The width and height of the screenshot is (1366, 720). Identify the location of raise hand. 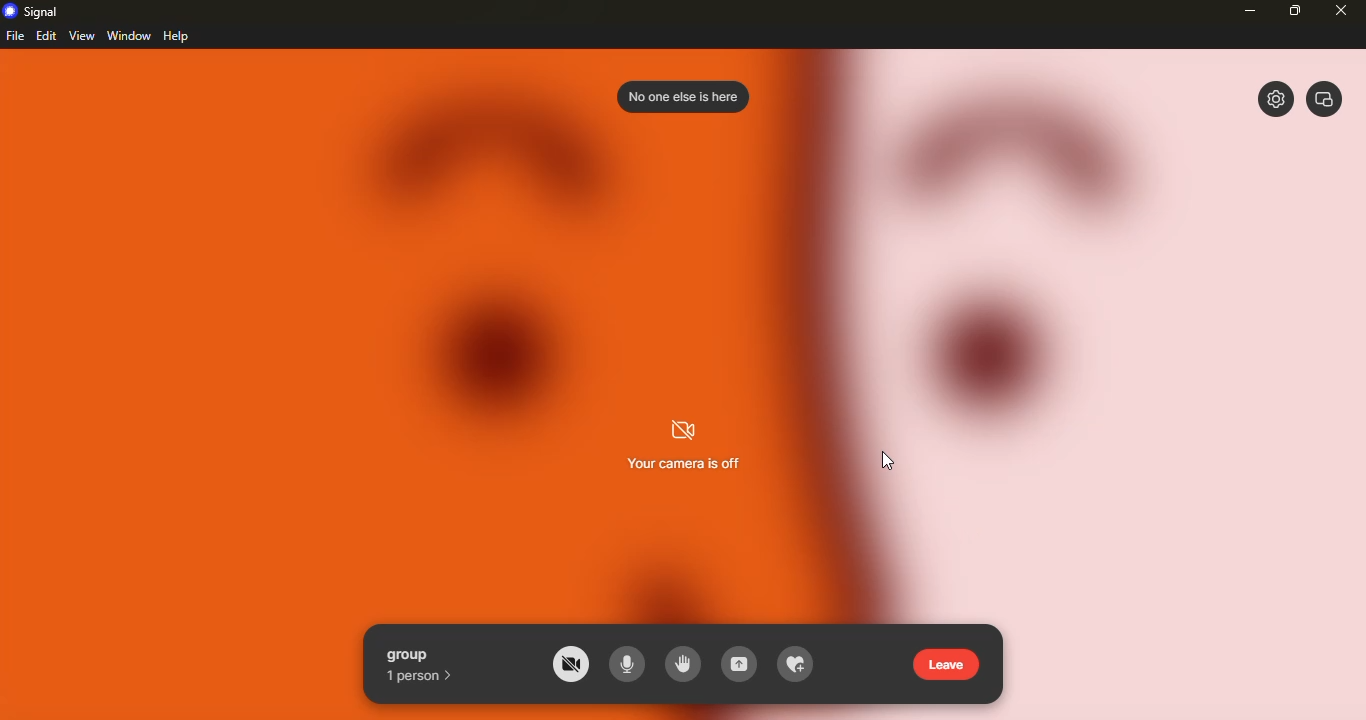
(683, 664).